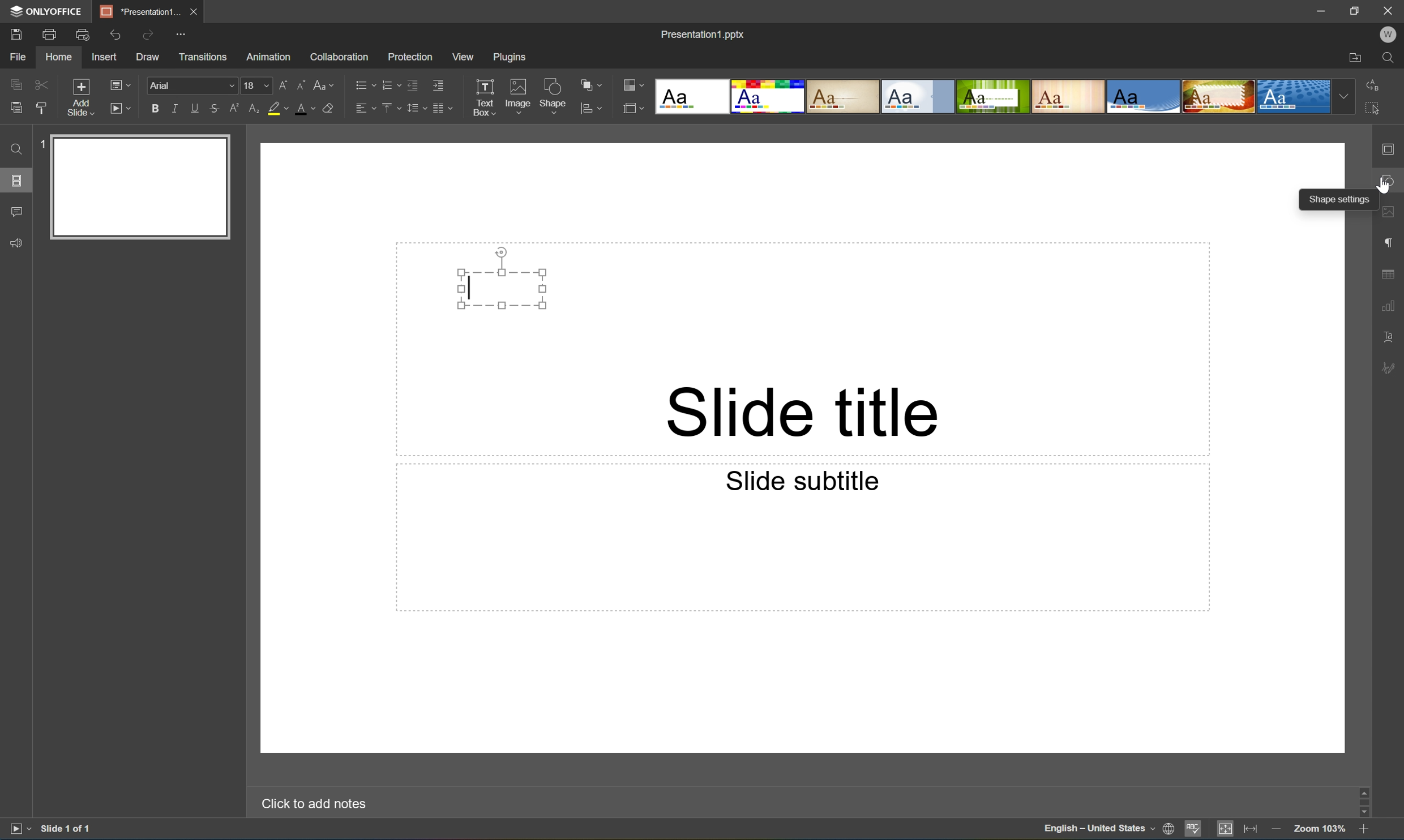  I want to click on Cut, so click(40, 84).